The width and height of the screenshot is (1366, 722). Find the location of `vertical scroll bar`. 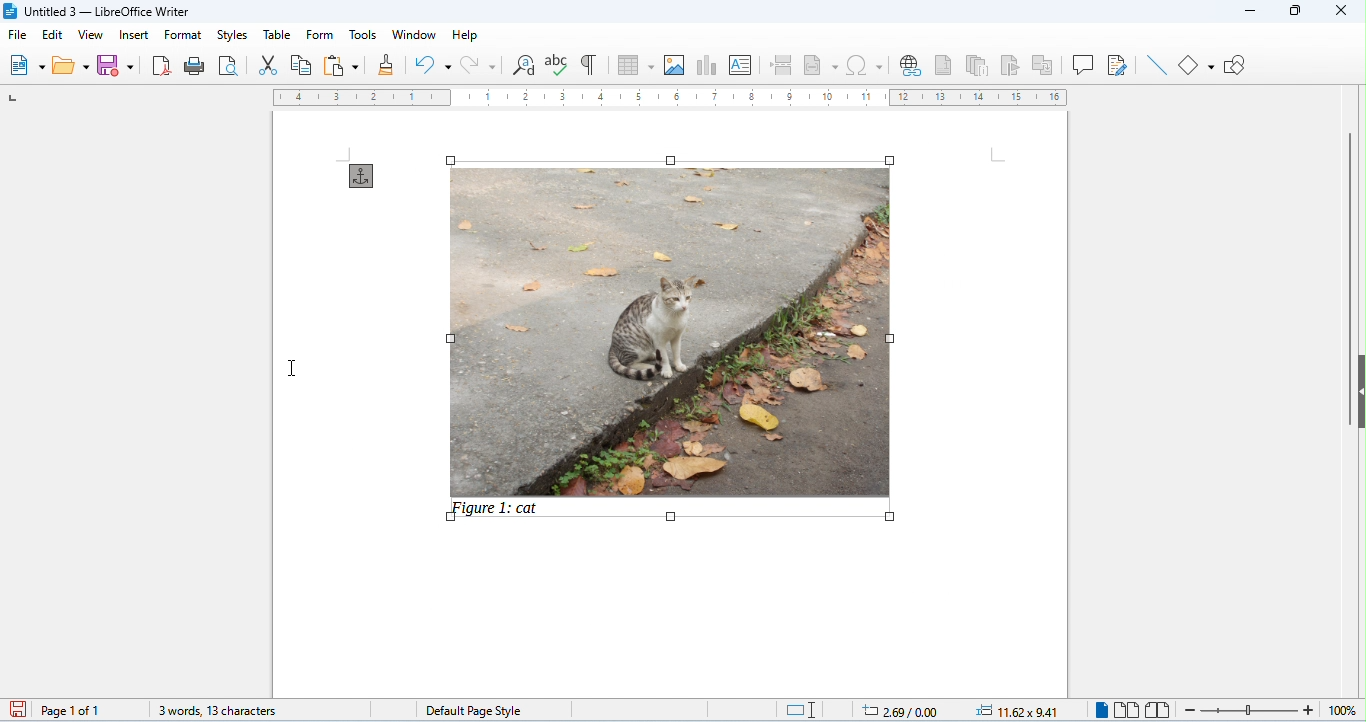

vertical scroll bar is located at coordinates (1347, 276).